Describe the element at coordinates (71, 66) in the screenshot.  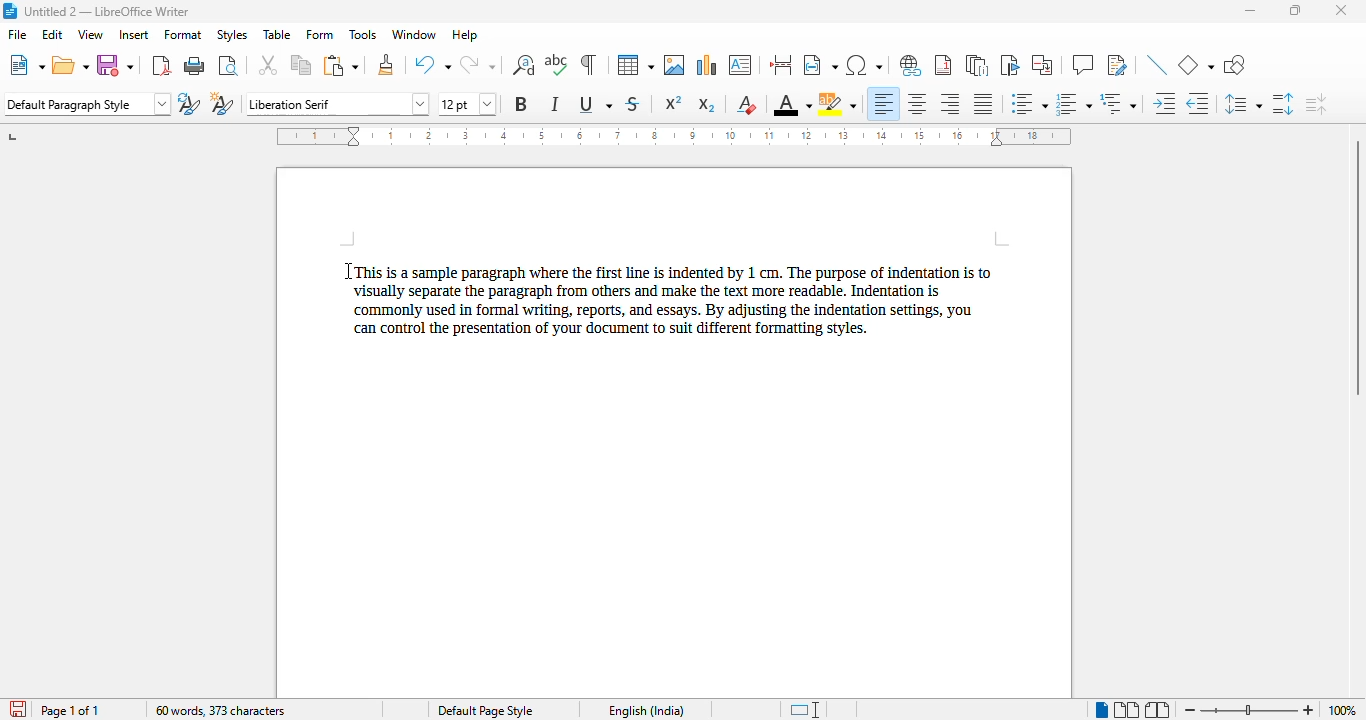
I see `open` at that location.